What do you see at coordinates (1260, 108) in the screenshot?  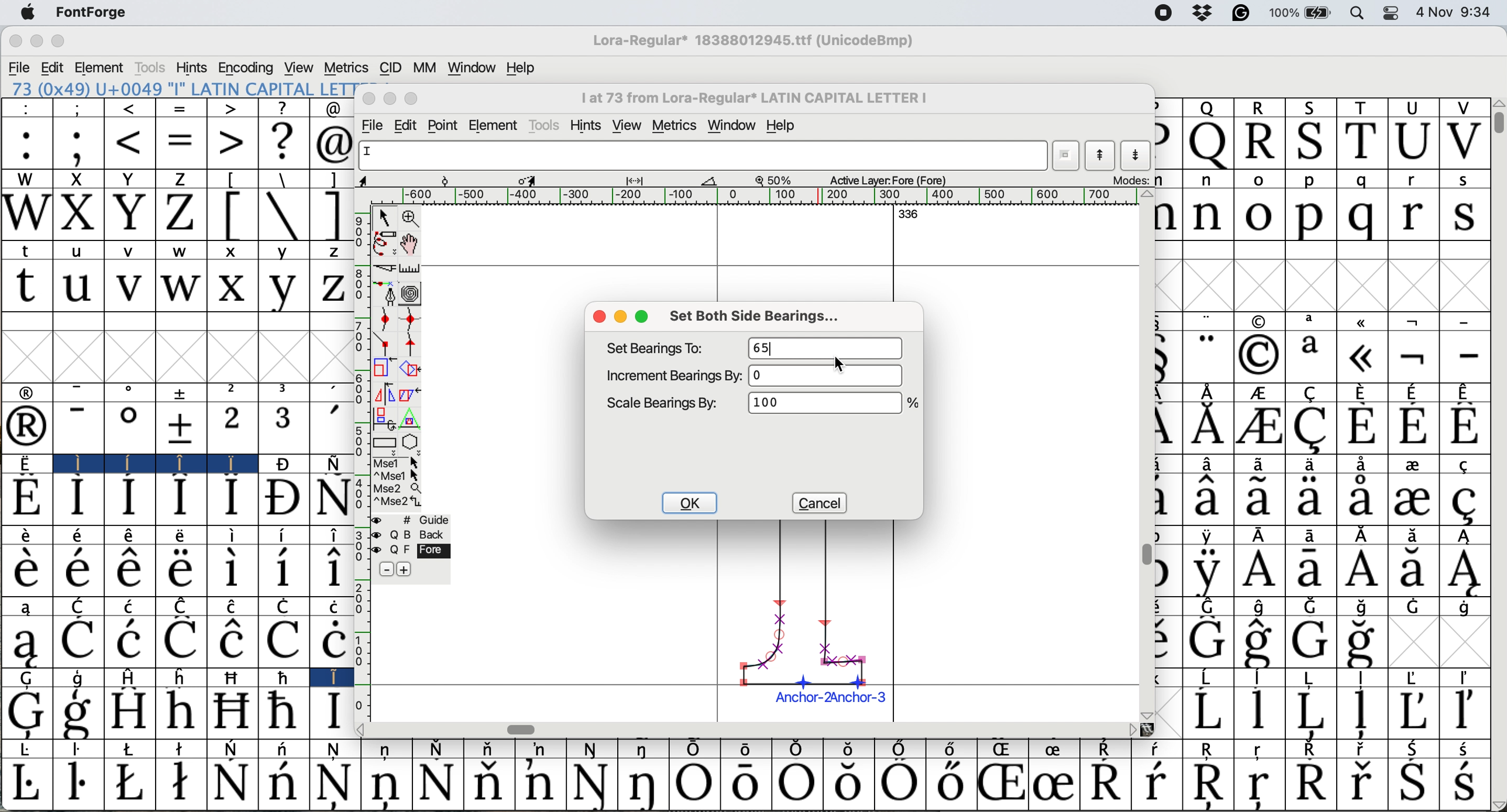 I see `R` at bounding box center [1260, 108].